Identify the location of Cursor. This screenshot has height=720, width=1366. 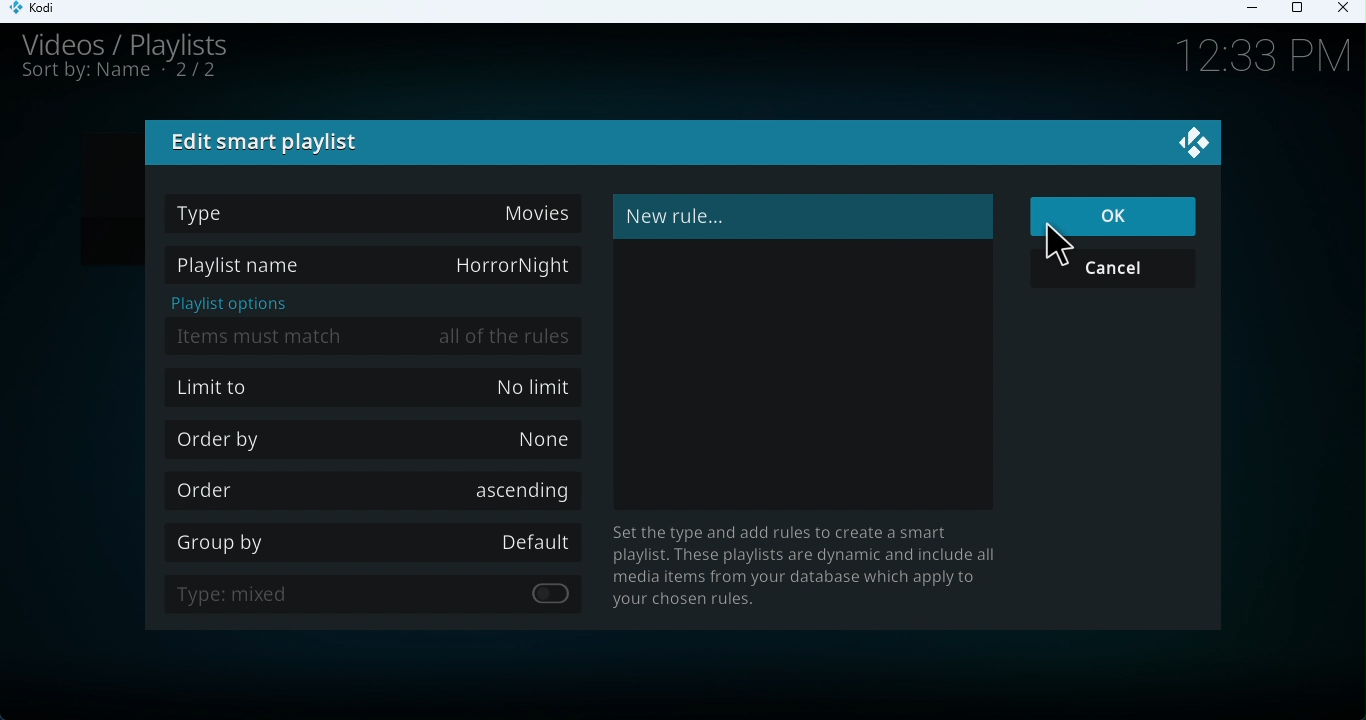
(1060, 244).